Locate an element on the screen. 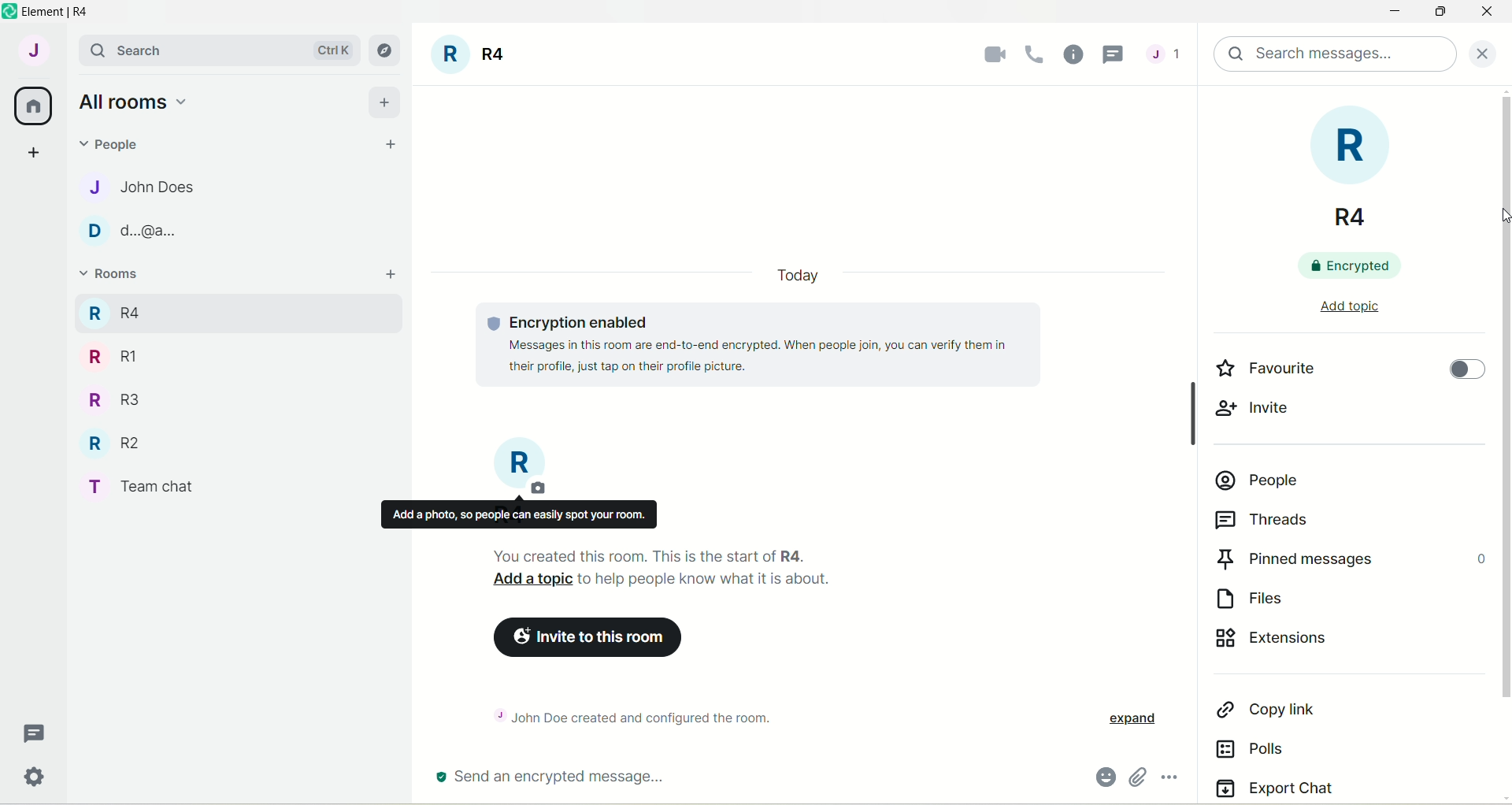  pinned messages is located at coordinates (1347, 559).